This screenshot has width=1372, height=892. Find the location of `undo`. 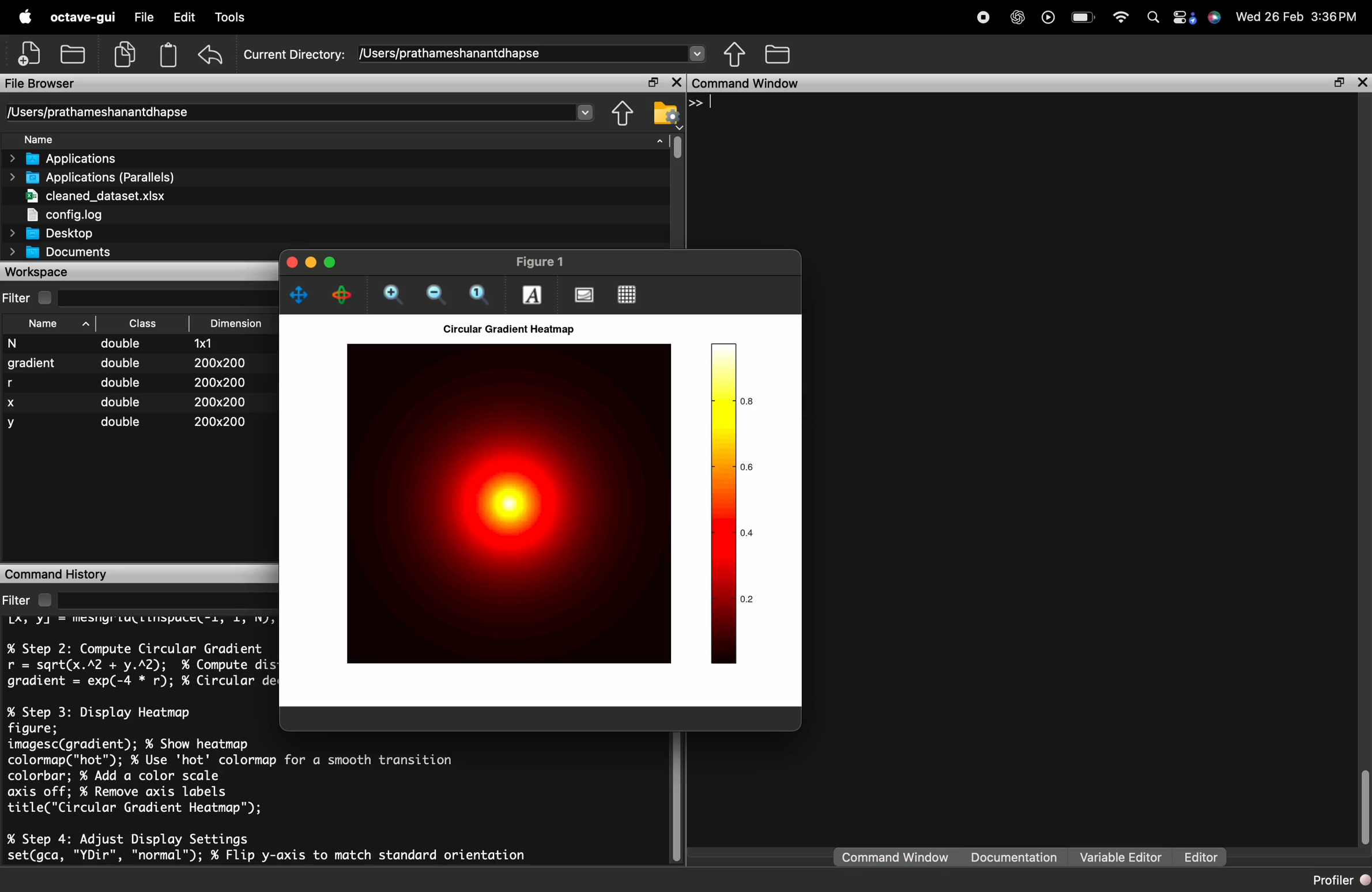

undo is located at coordinates (210, 55).